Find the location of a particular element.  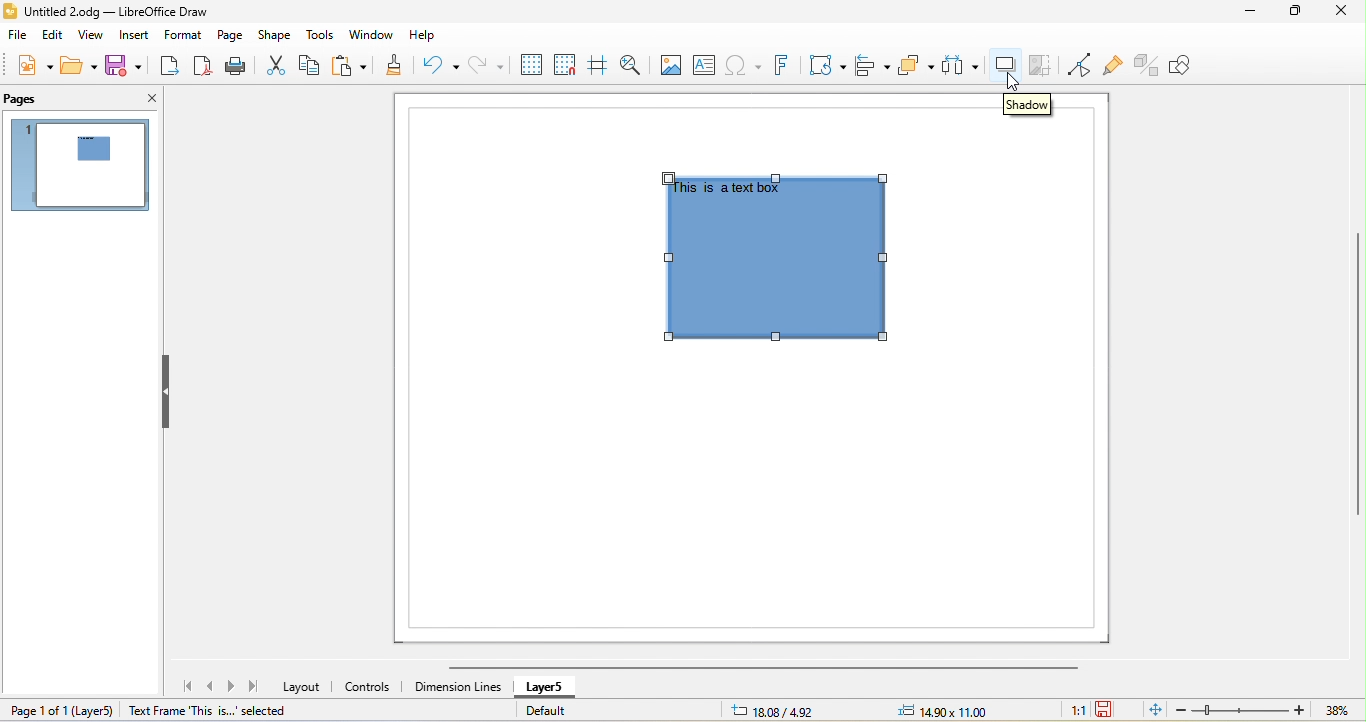

14.90x11.00 is located at coordinates (954, 710).